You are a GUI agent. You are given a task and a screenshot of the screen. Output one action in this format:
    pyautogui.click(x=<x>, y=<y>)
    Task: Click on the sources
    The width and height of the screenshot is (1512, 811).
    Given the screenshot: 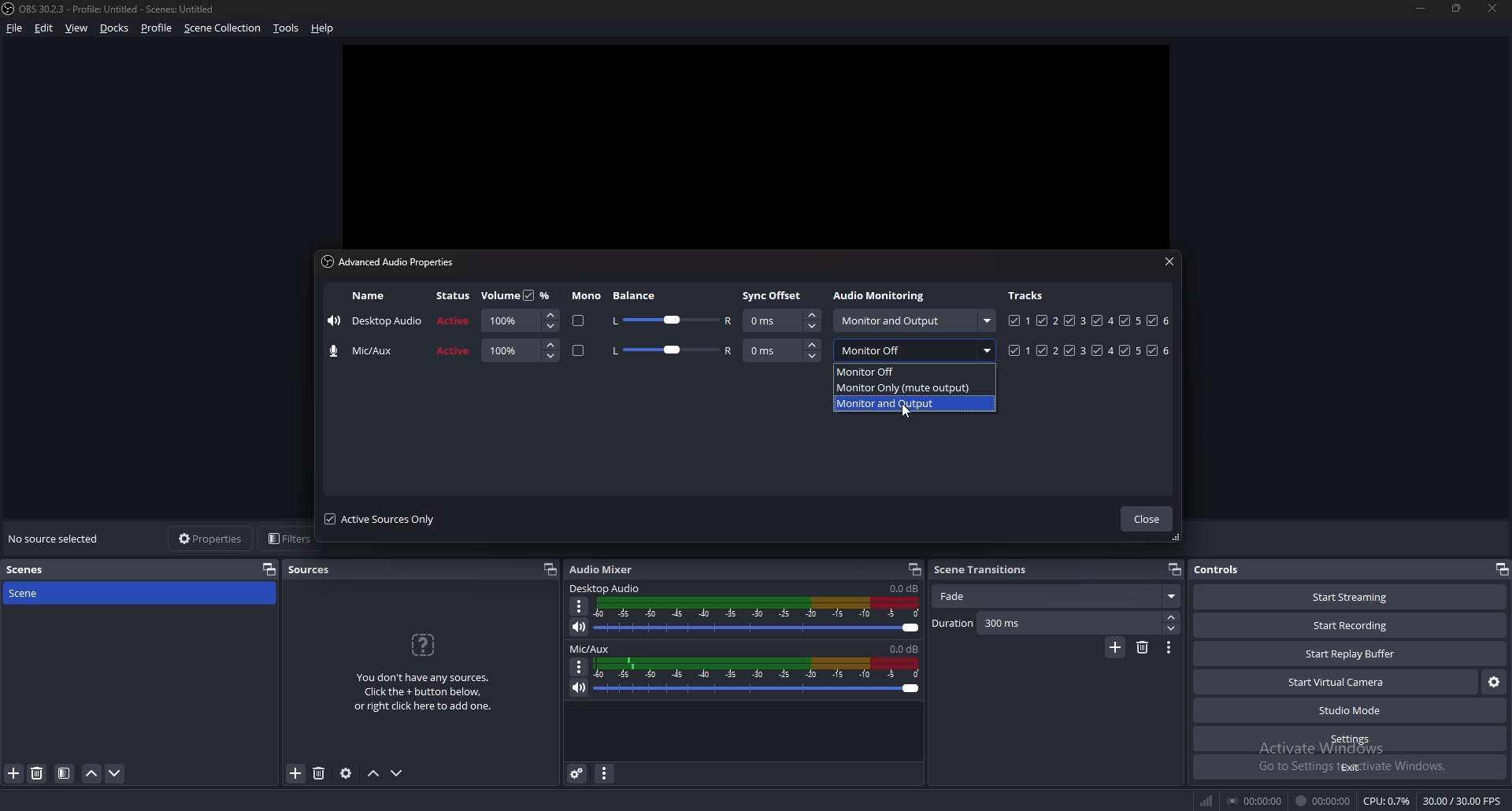 What is the action you would take?
    pyautogui.click(x=312, y=569)
    